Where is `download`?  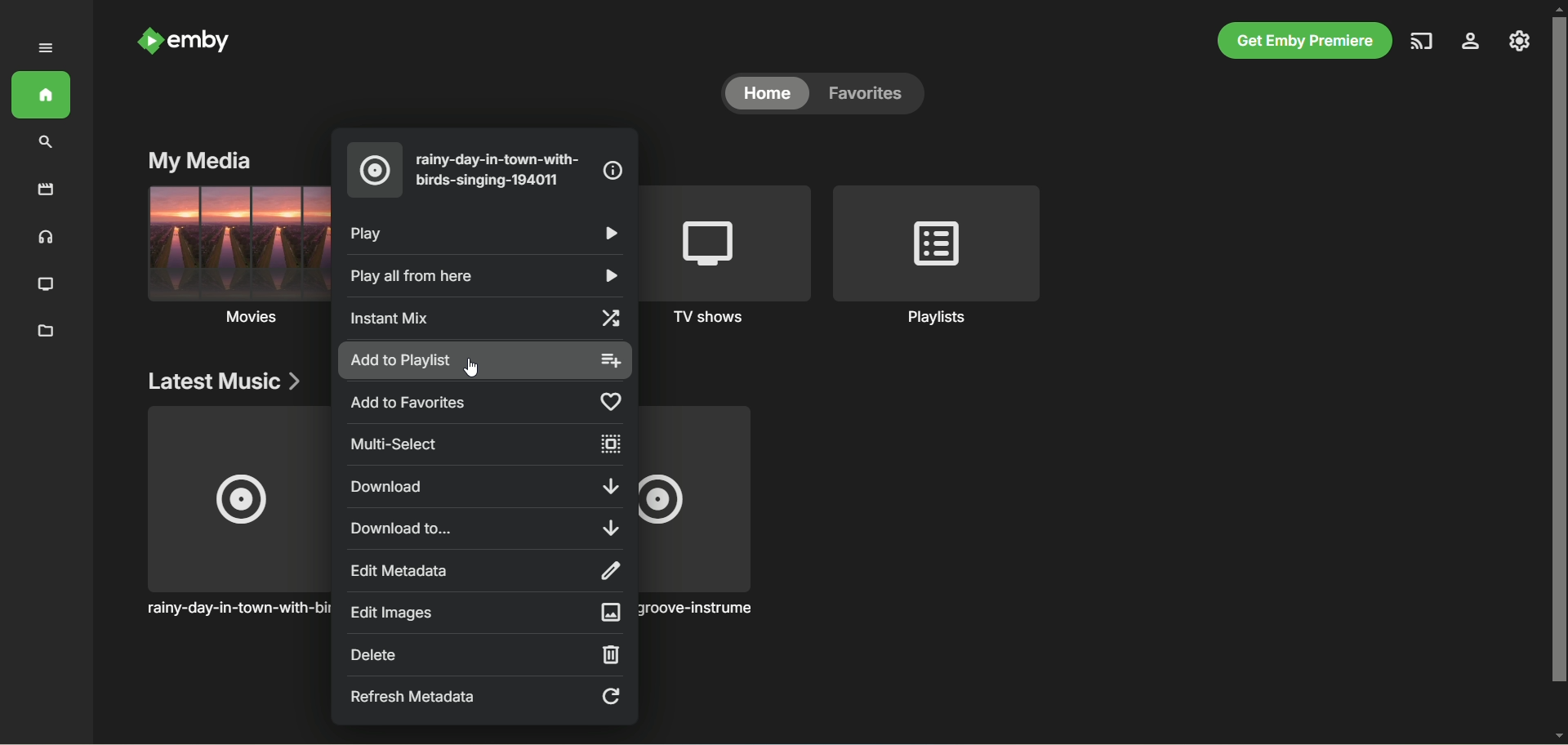
download is located at coordinates (484, 486).